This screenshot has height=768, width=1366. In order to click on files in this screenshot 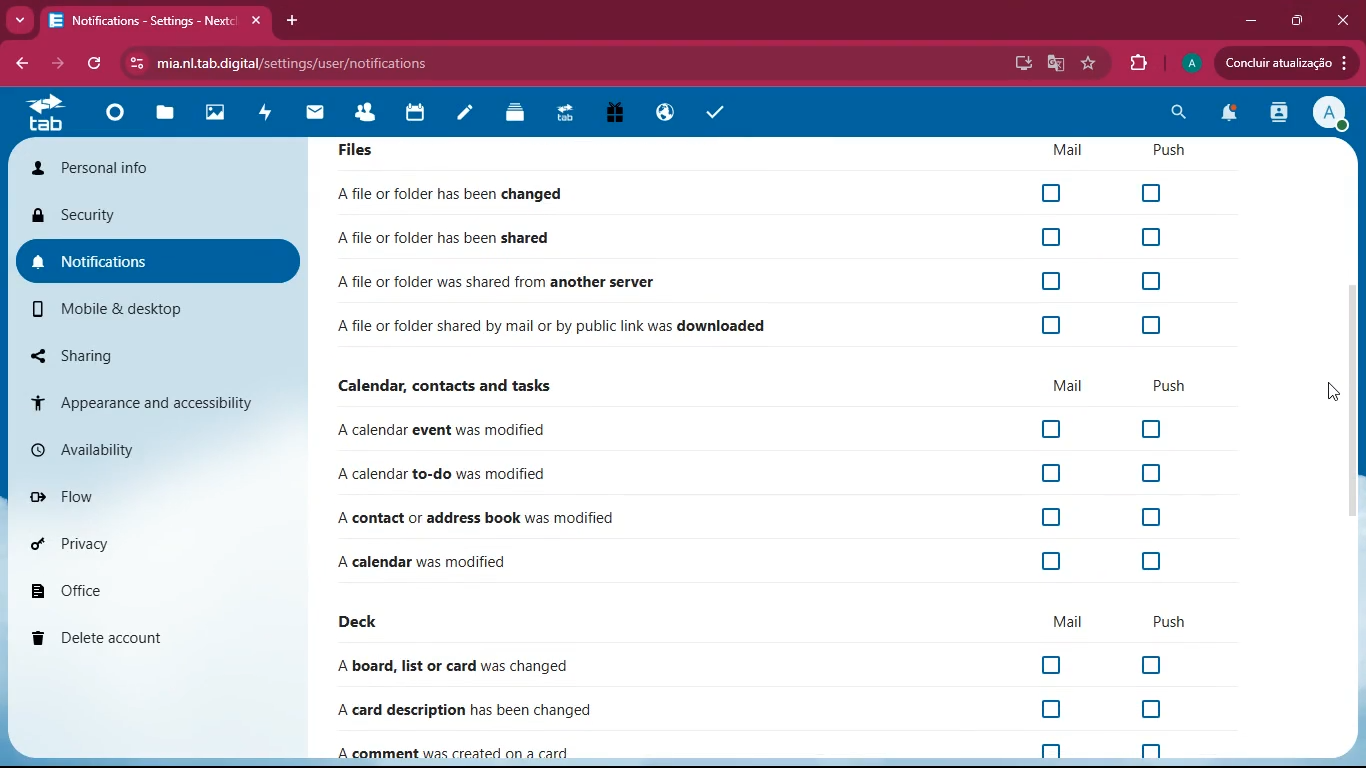, I will do `click(170, 114)`.